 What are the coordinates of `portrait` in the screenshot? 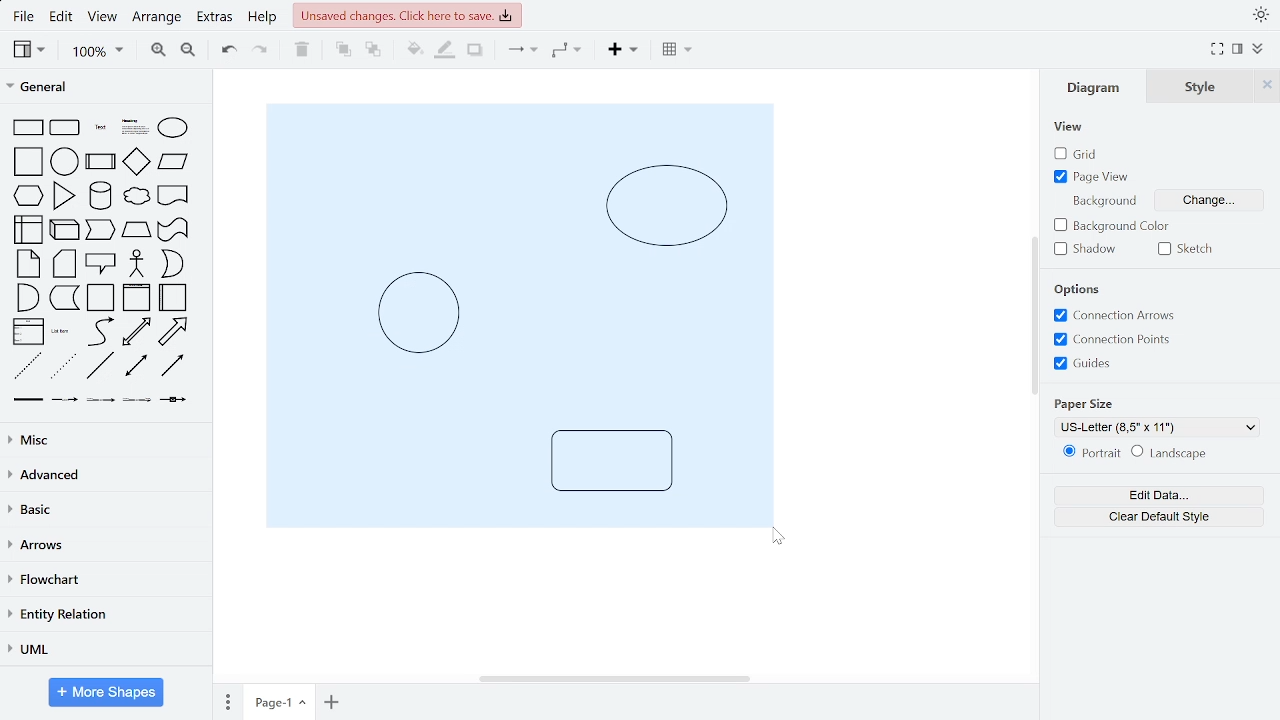 It's located at (1088, 453).